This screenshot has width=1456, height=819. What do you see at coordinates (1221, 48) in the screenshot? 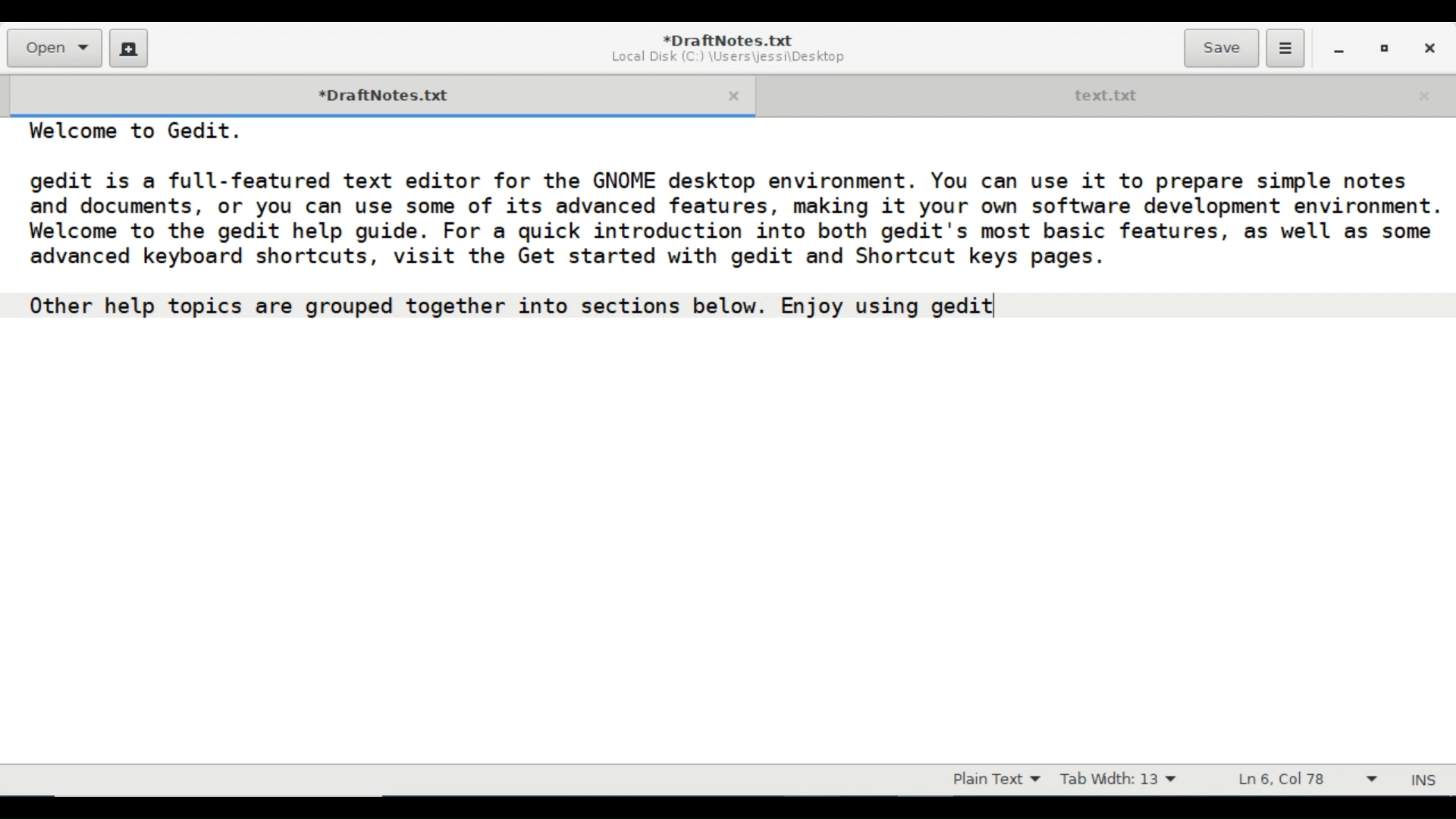
I see `Save` at bounding box center [1221, 48].